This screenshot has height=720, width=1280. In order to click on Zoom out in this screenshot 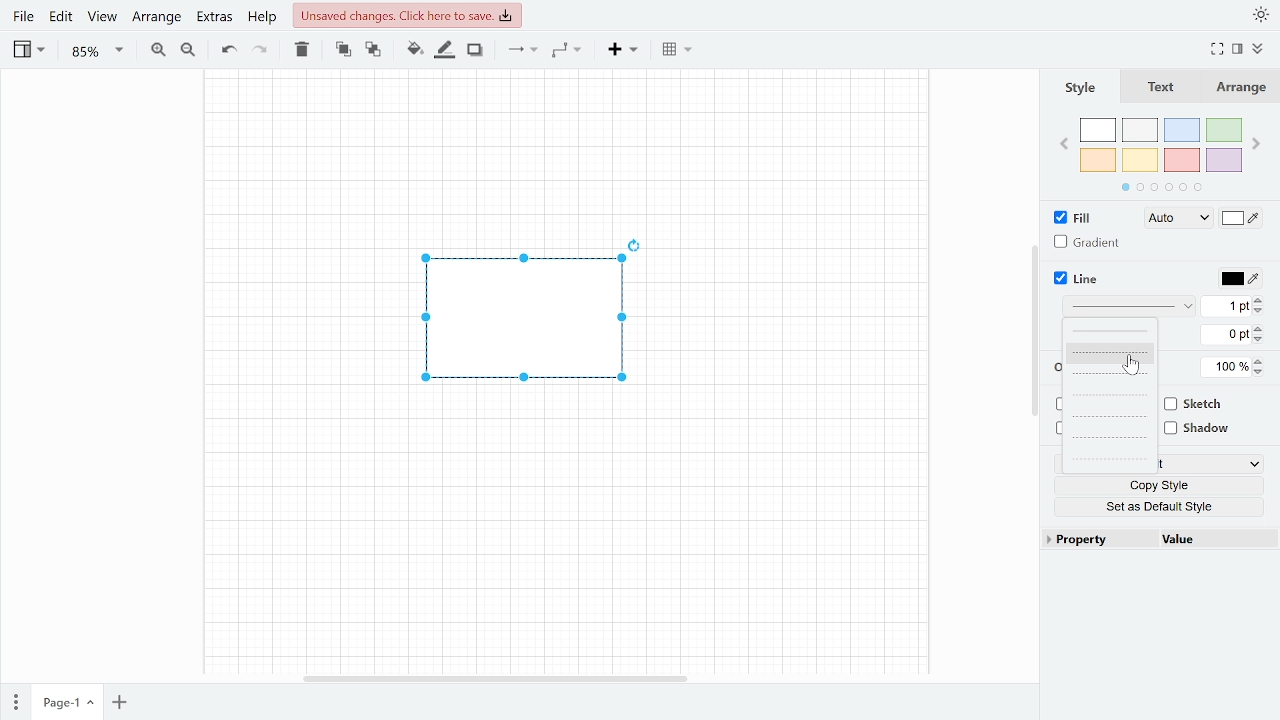, I will do `click(186, 50)`.